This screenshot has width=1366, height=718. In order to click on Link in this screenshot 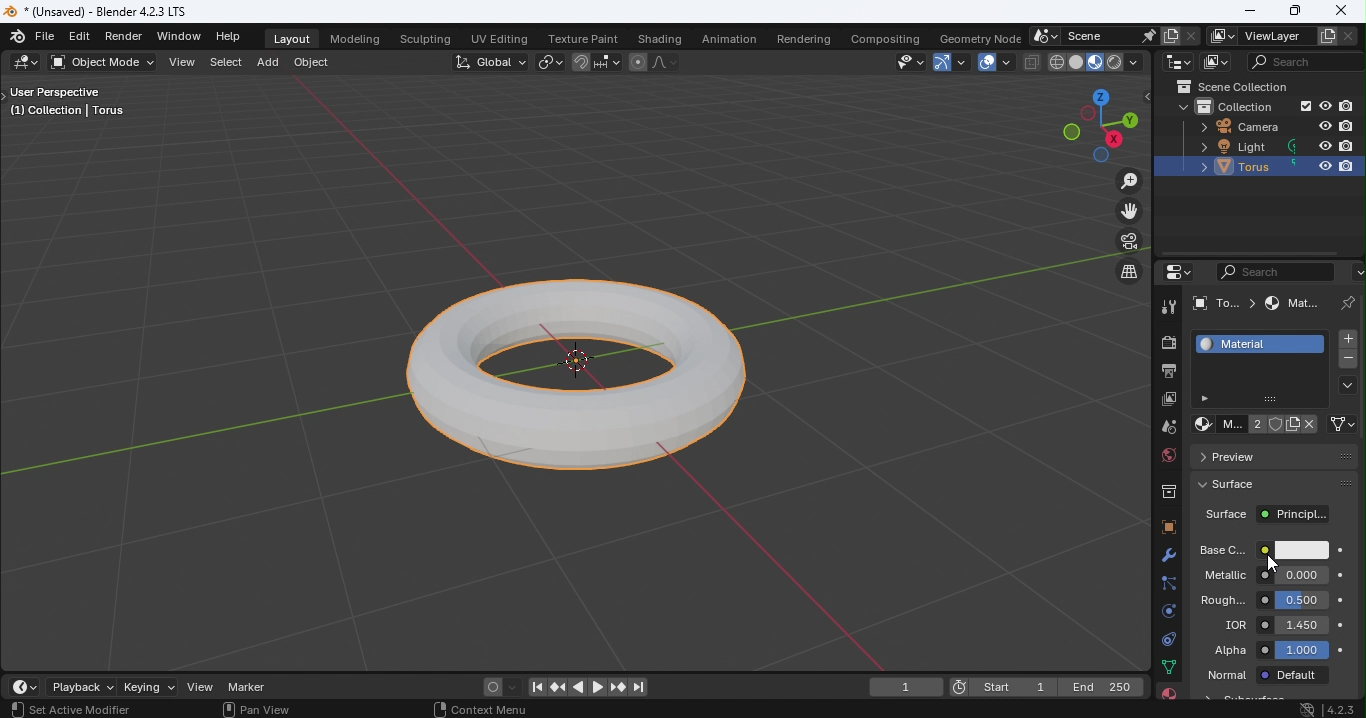, I will do `click(1340, 426)`.